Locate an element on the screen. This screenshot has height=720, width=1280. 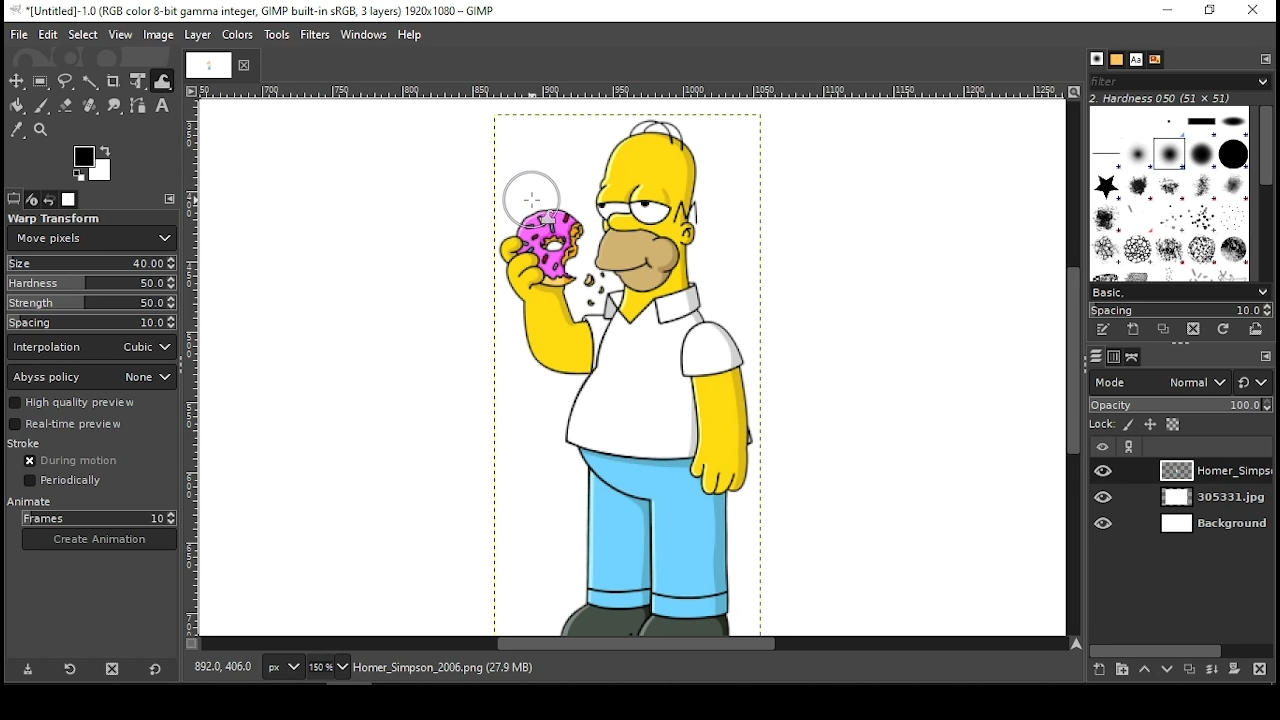
strength is located at coordinates (92, 303).